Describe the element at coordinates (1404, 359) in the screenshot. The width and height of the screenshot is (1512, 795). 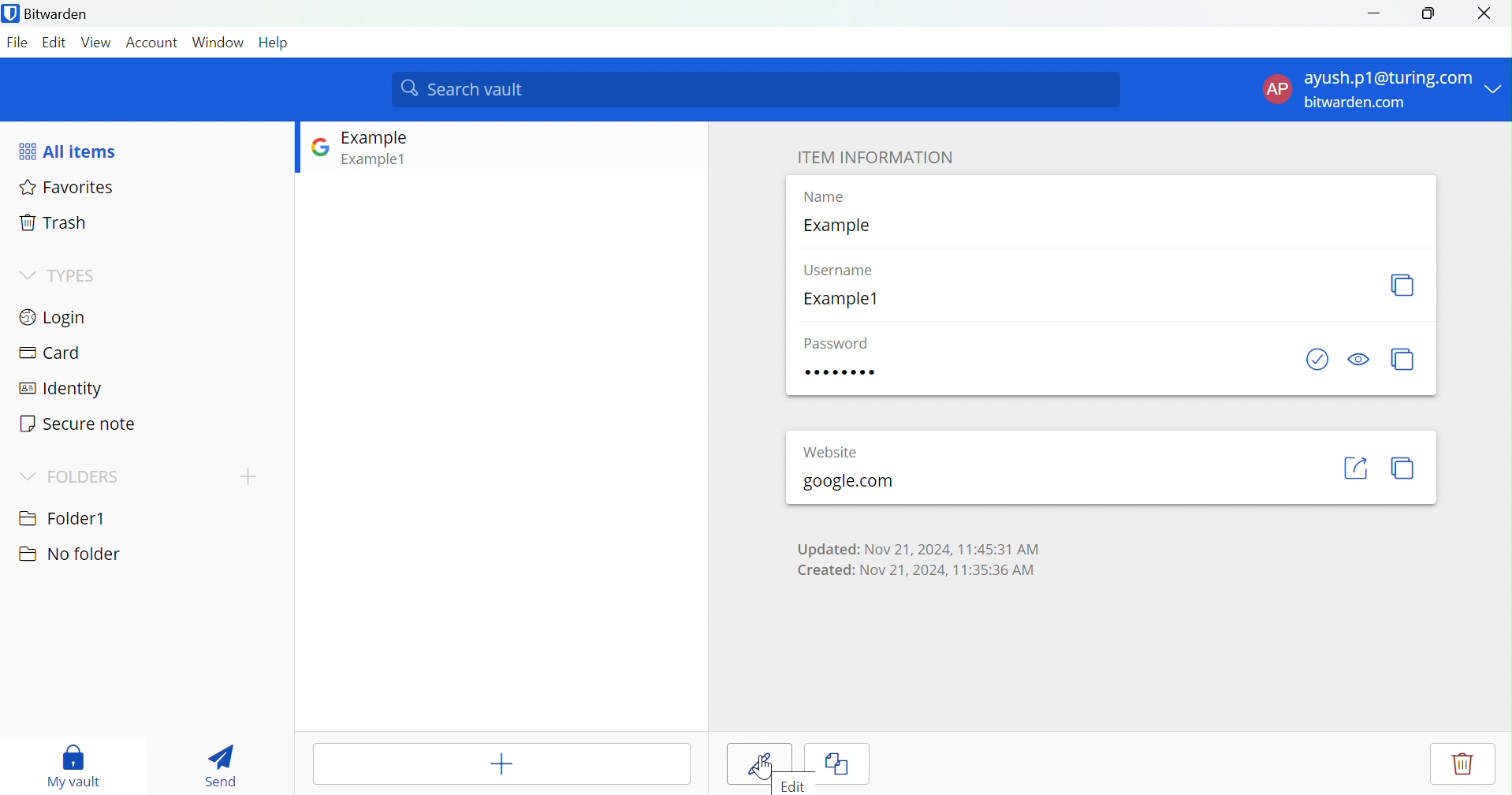
I see `Generate password` at that location.